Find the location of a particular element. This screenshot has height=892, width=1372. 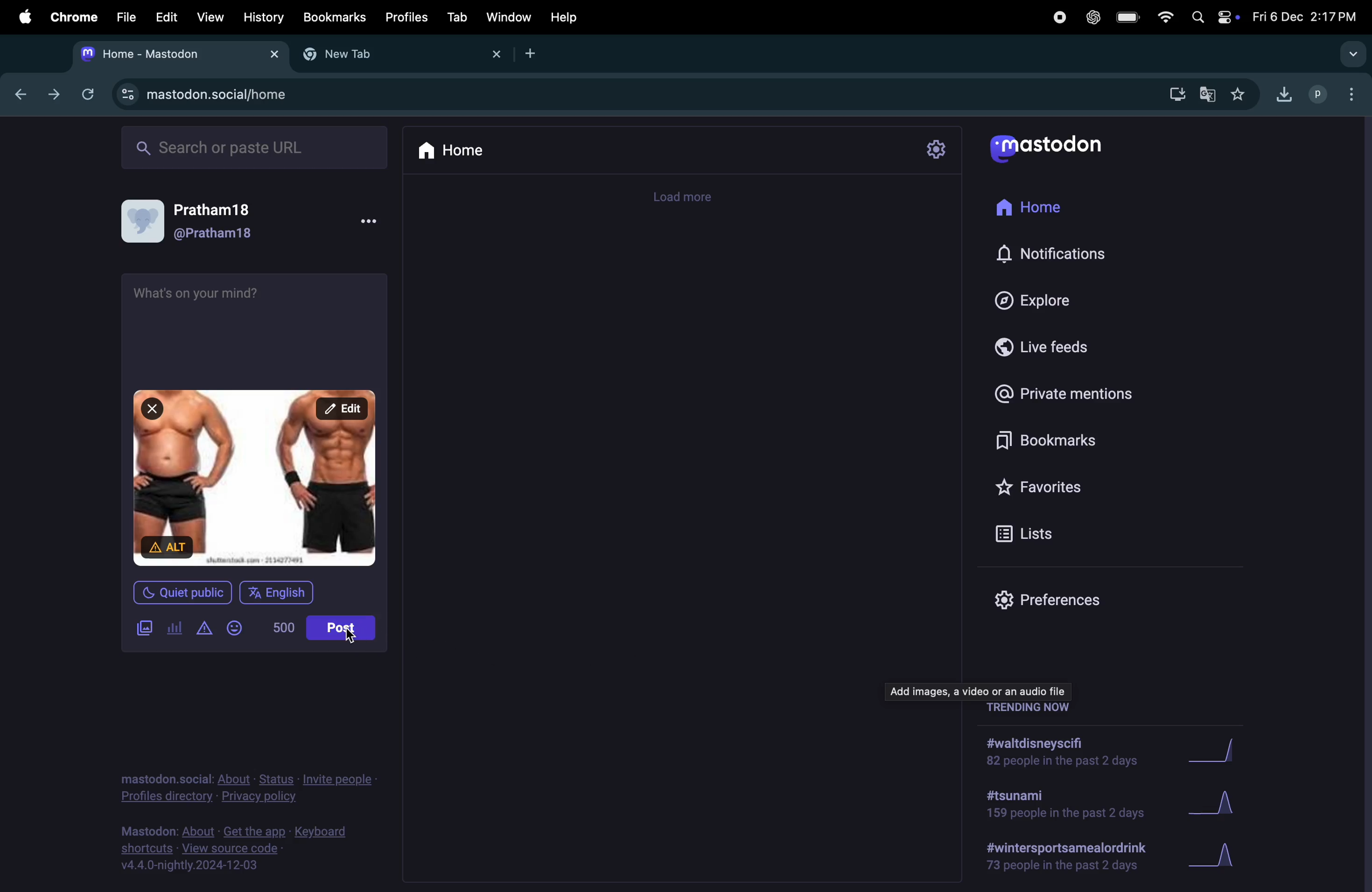

wifi is located at coordinates (1164, 16).